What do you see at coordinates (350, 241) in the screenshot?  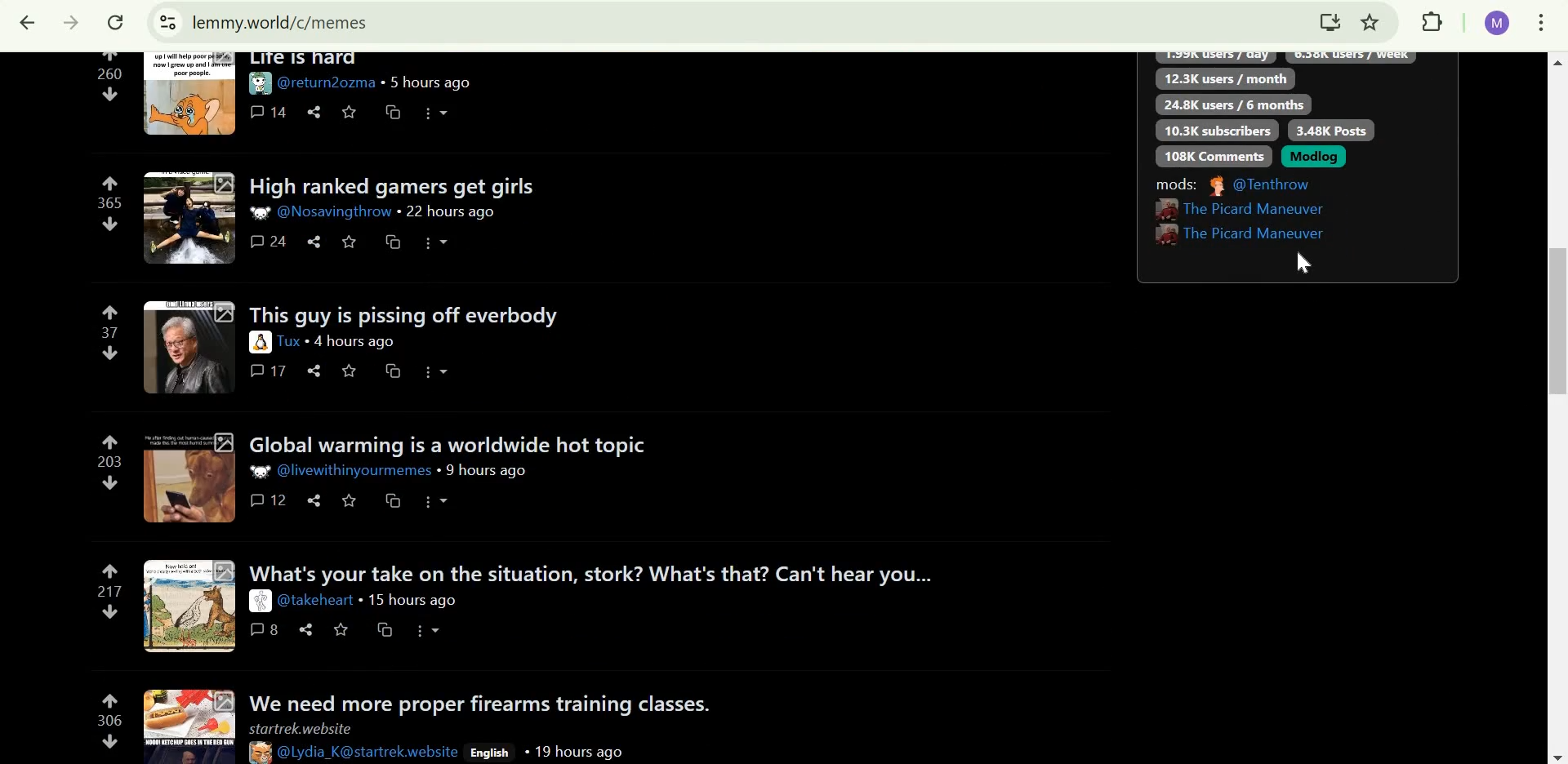 I see `save` at bounding box center [350, 241].